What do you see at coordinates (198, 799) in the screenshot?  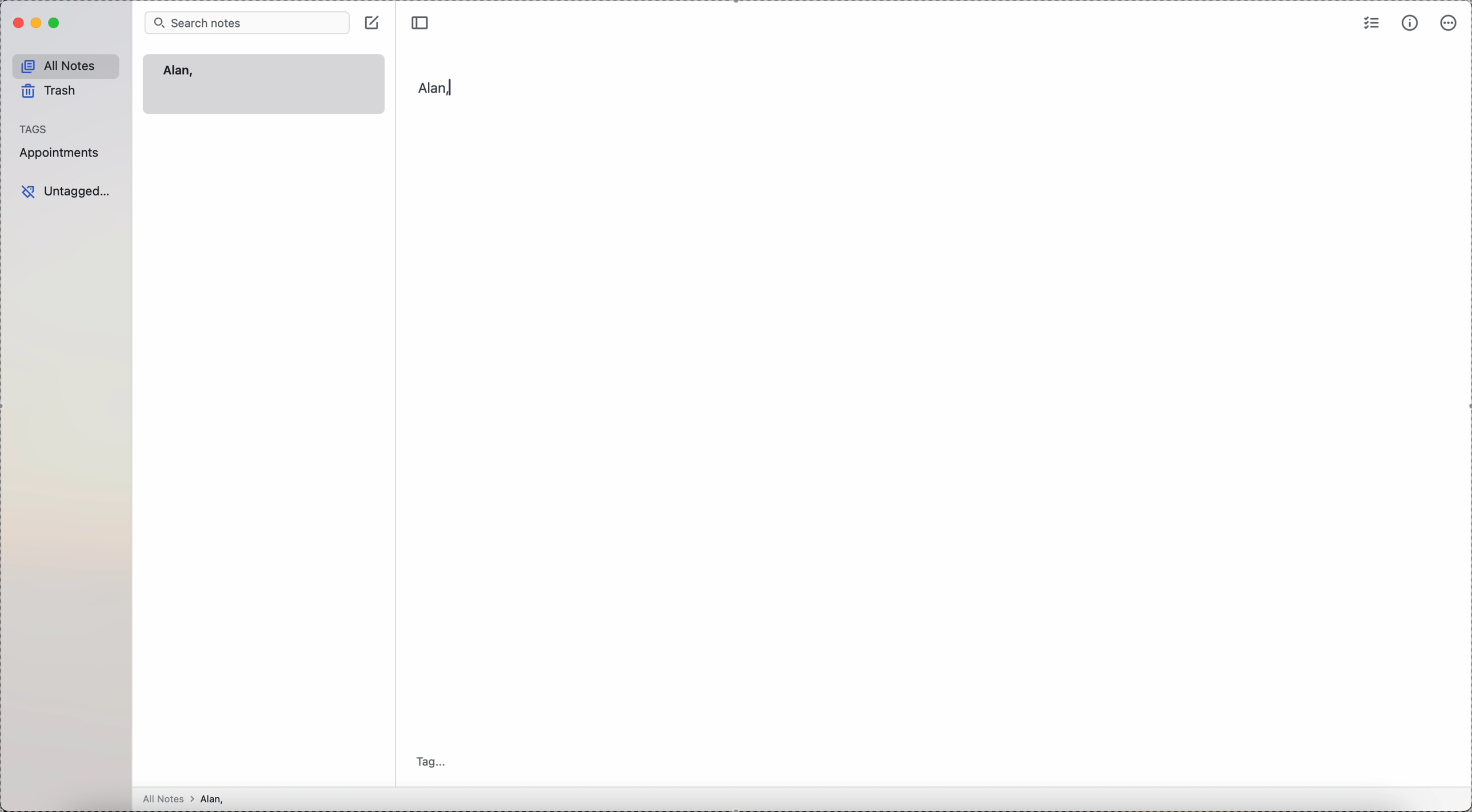 I see `all notes > Alan,` at bounding box center [198, 799].